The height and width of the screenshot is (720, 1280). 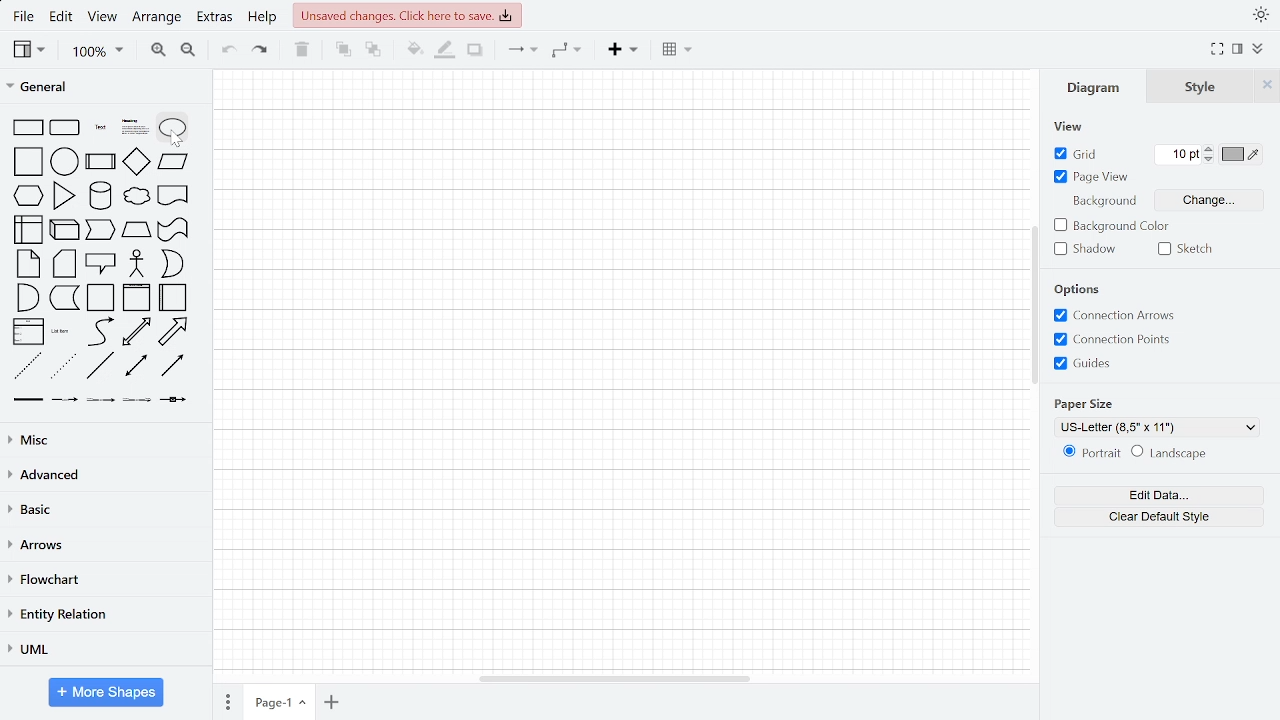 What do you see at coordinates (102, 649) in the screenshot?
I see `UML` at bounding box center [102, 649].